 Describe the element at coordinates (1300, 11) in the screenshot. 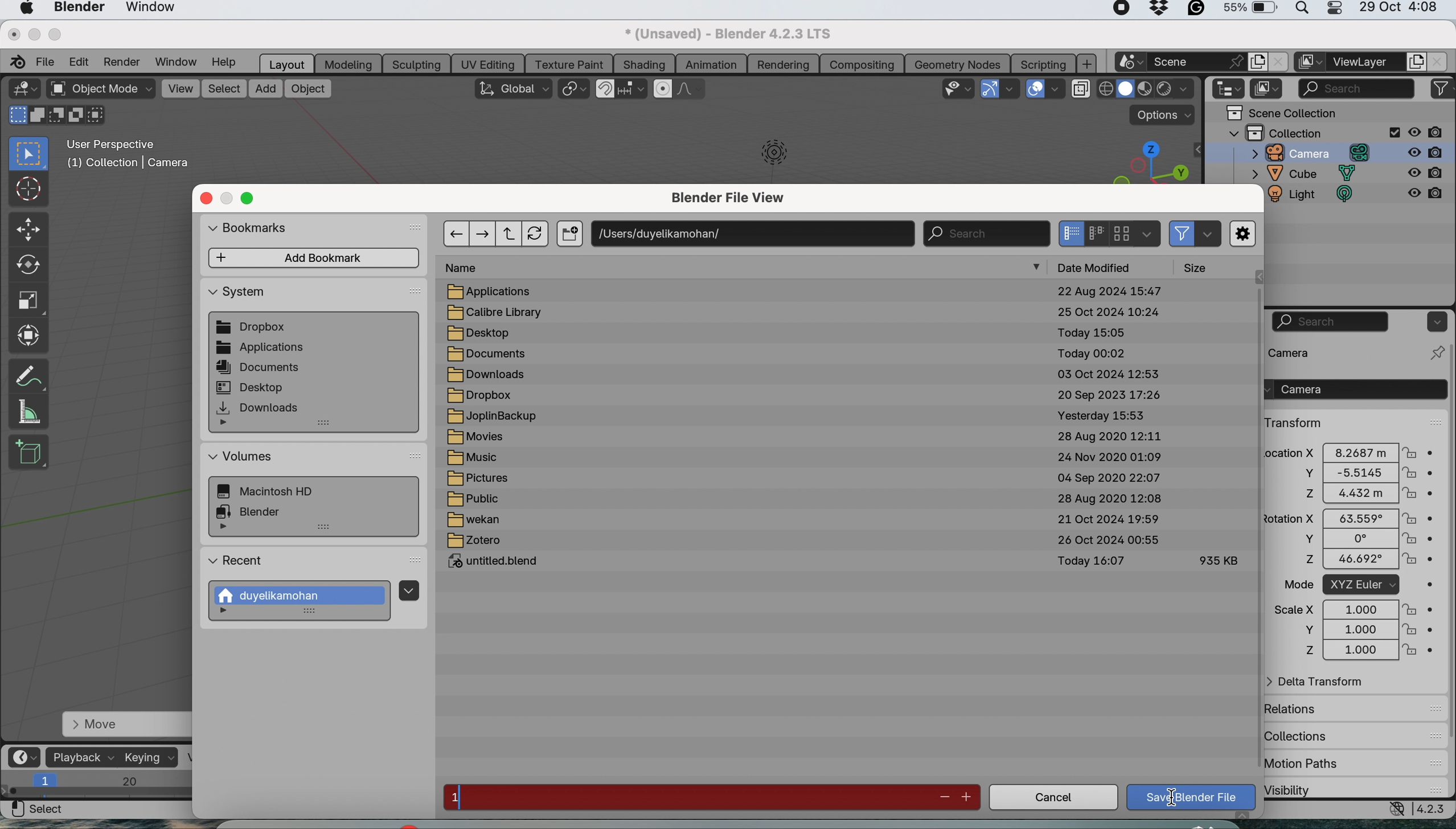

I see `spotlight search` at that location.